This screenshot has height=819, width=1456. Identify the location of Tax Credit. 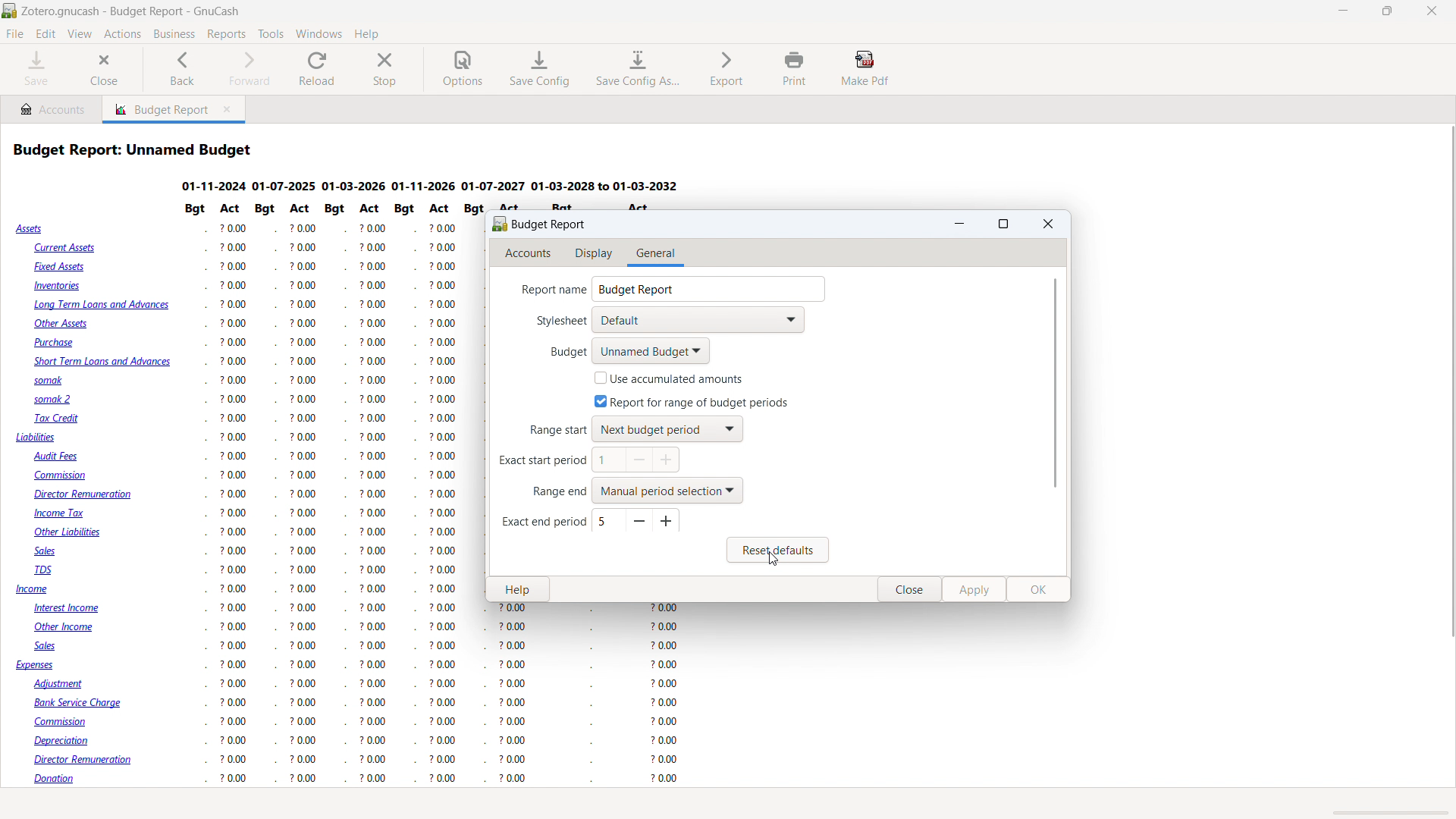
(58, 419).